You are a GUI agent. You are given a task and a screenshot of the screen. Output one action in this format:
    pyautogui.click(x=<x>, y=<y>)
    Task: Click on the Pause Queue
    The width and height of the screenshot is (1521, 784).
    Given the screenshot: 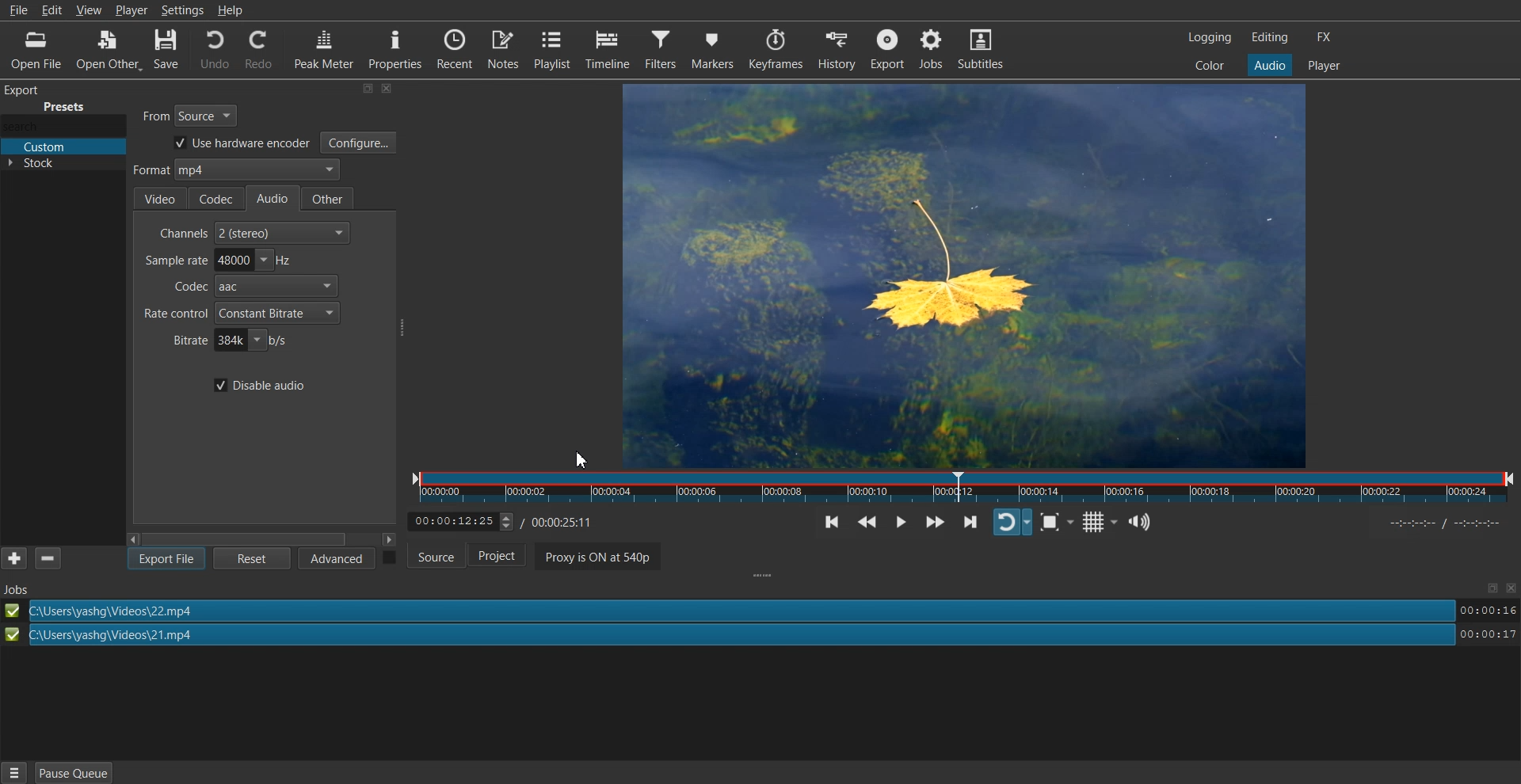 What is the action you would take?
    pyautogui.click(x=74, y=772)
    